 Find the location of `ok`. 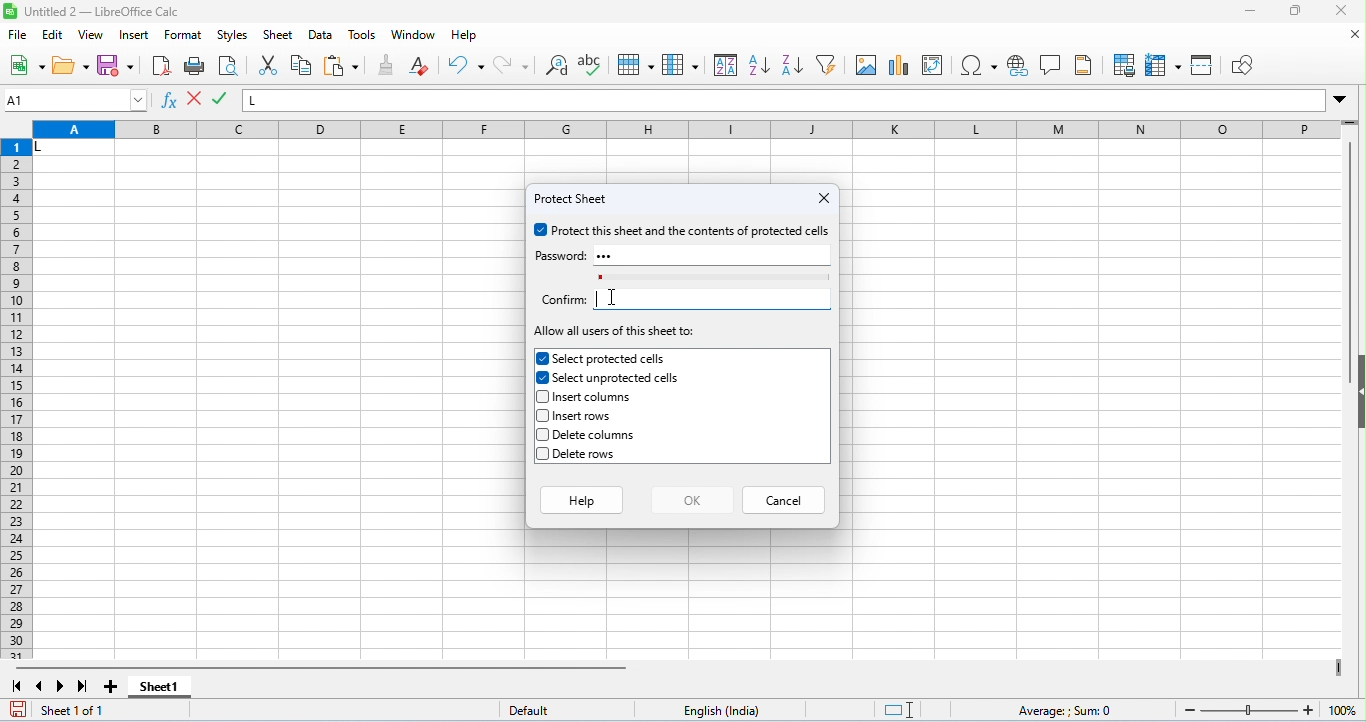

ok is located at coordinates (692, 498).